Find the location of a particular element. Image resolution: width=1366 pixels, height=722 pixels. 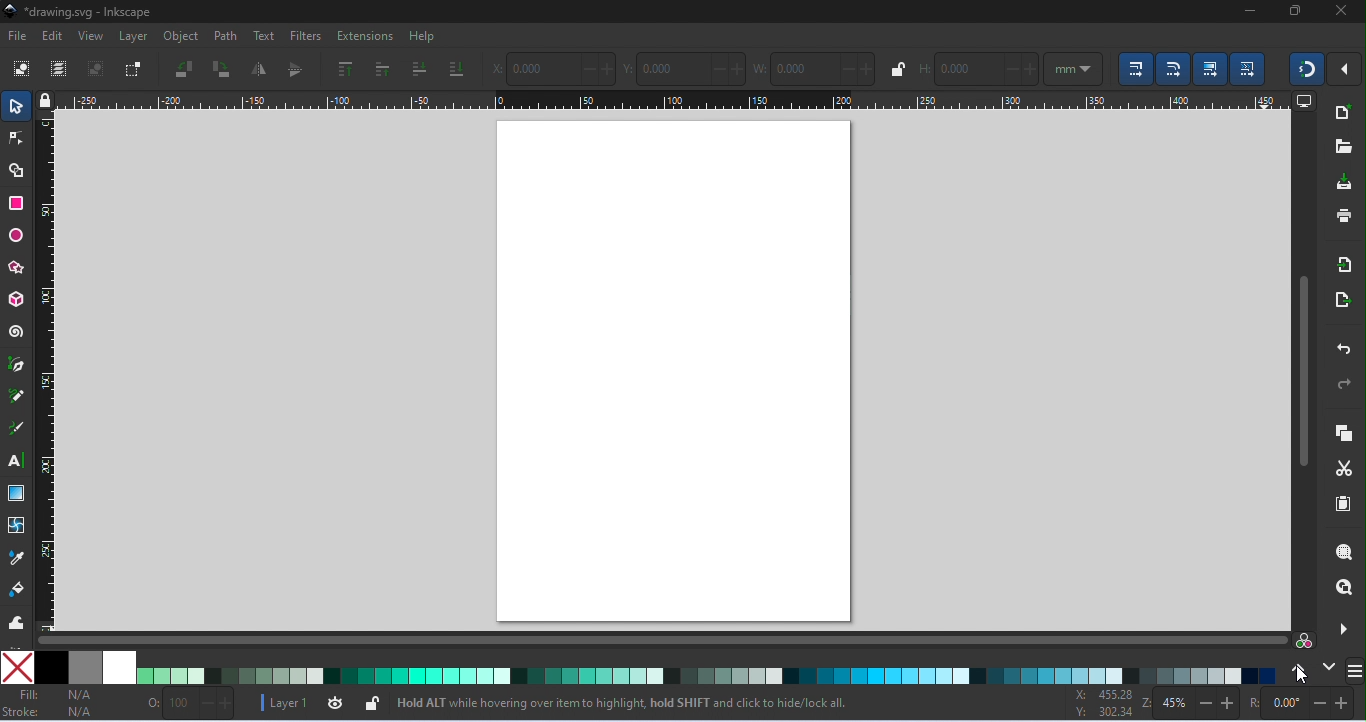

copy is located at coordinates (1344, 434).